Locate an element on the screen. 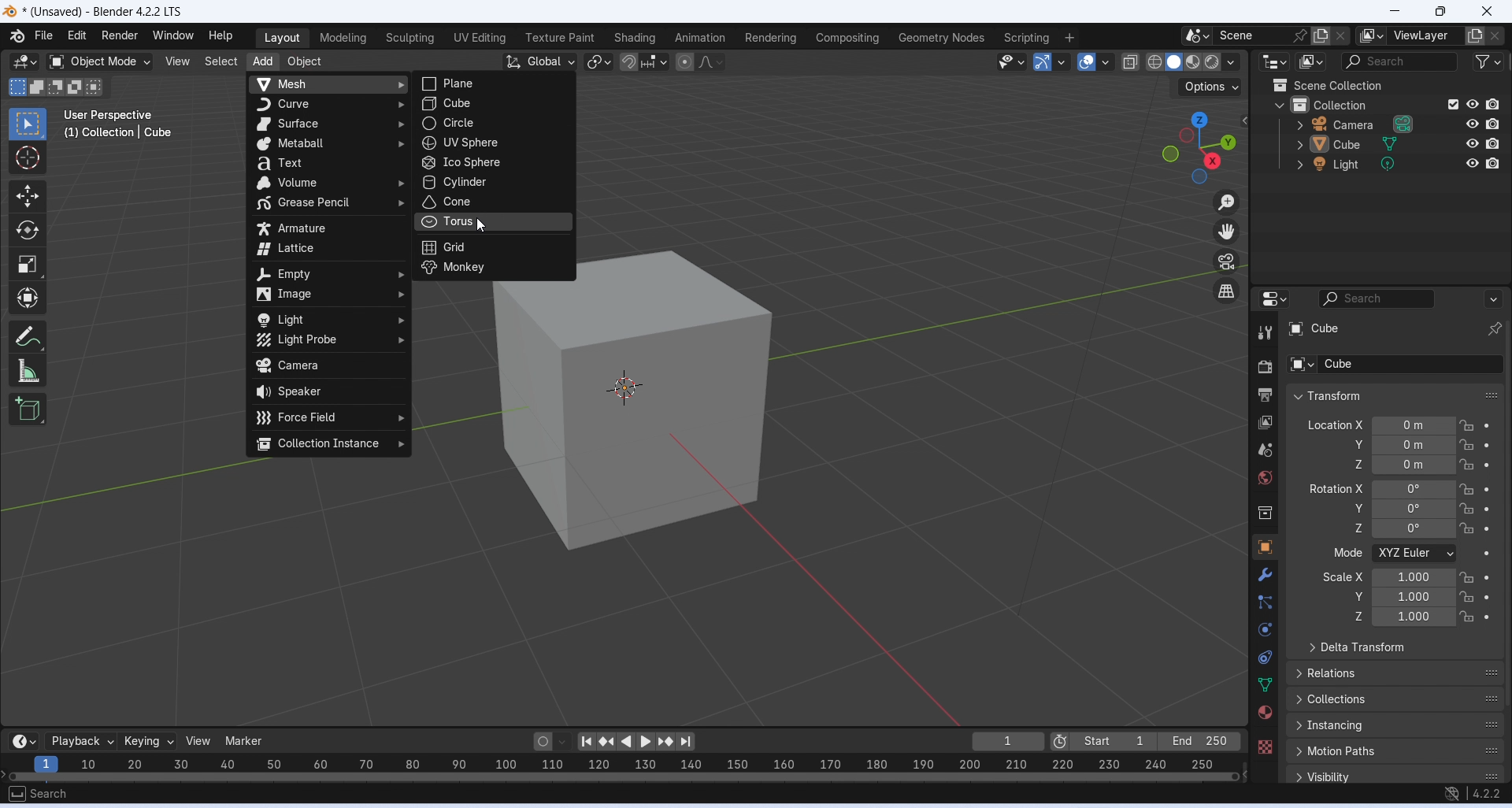 The image size is (1512, 808). Editor type is located at coordinates (22, 62).